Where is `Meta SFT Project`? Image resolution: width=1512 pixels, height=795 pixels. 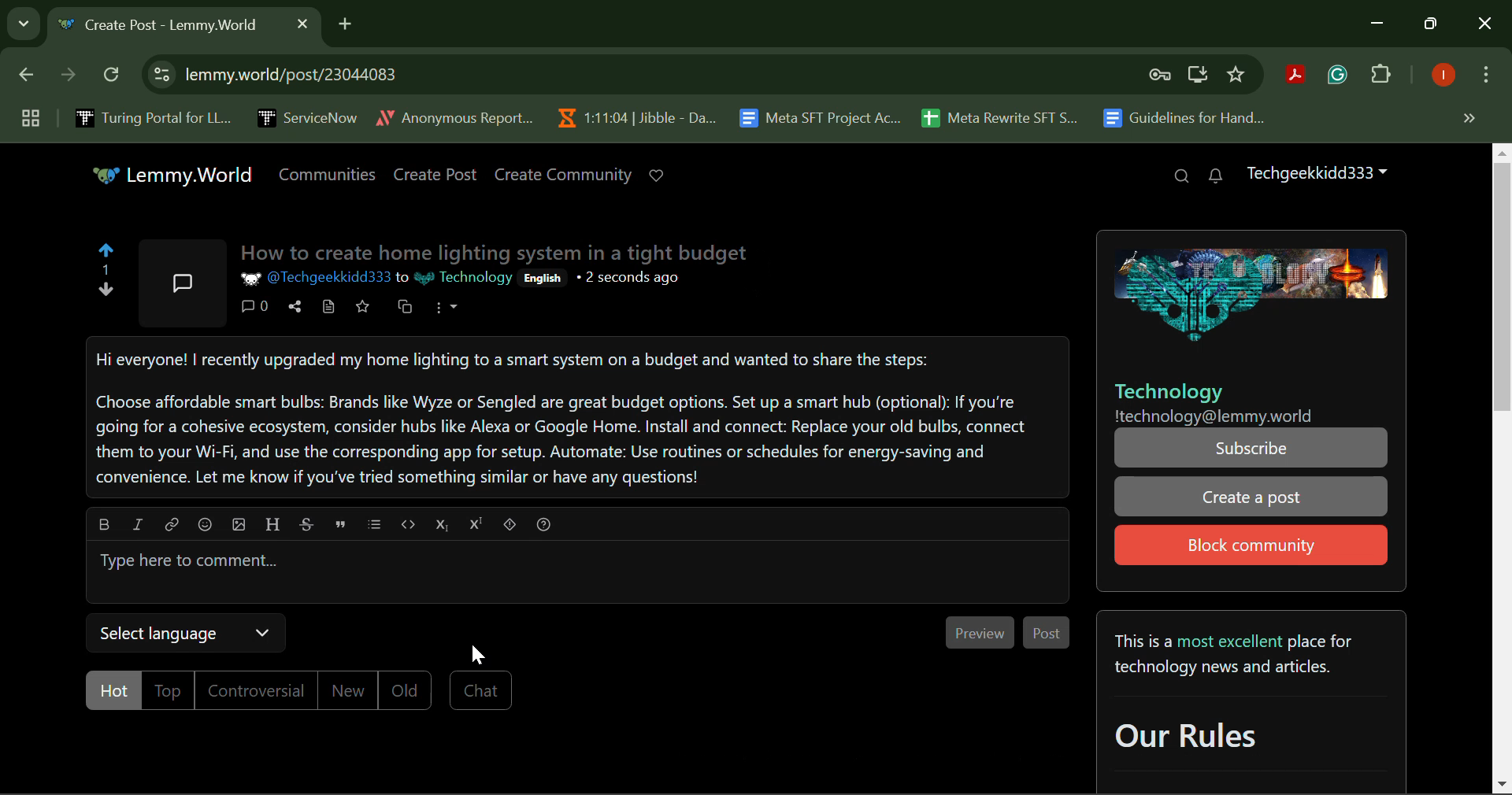 Meta SFT Project is located at coordinates (822, 116).